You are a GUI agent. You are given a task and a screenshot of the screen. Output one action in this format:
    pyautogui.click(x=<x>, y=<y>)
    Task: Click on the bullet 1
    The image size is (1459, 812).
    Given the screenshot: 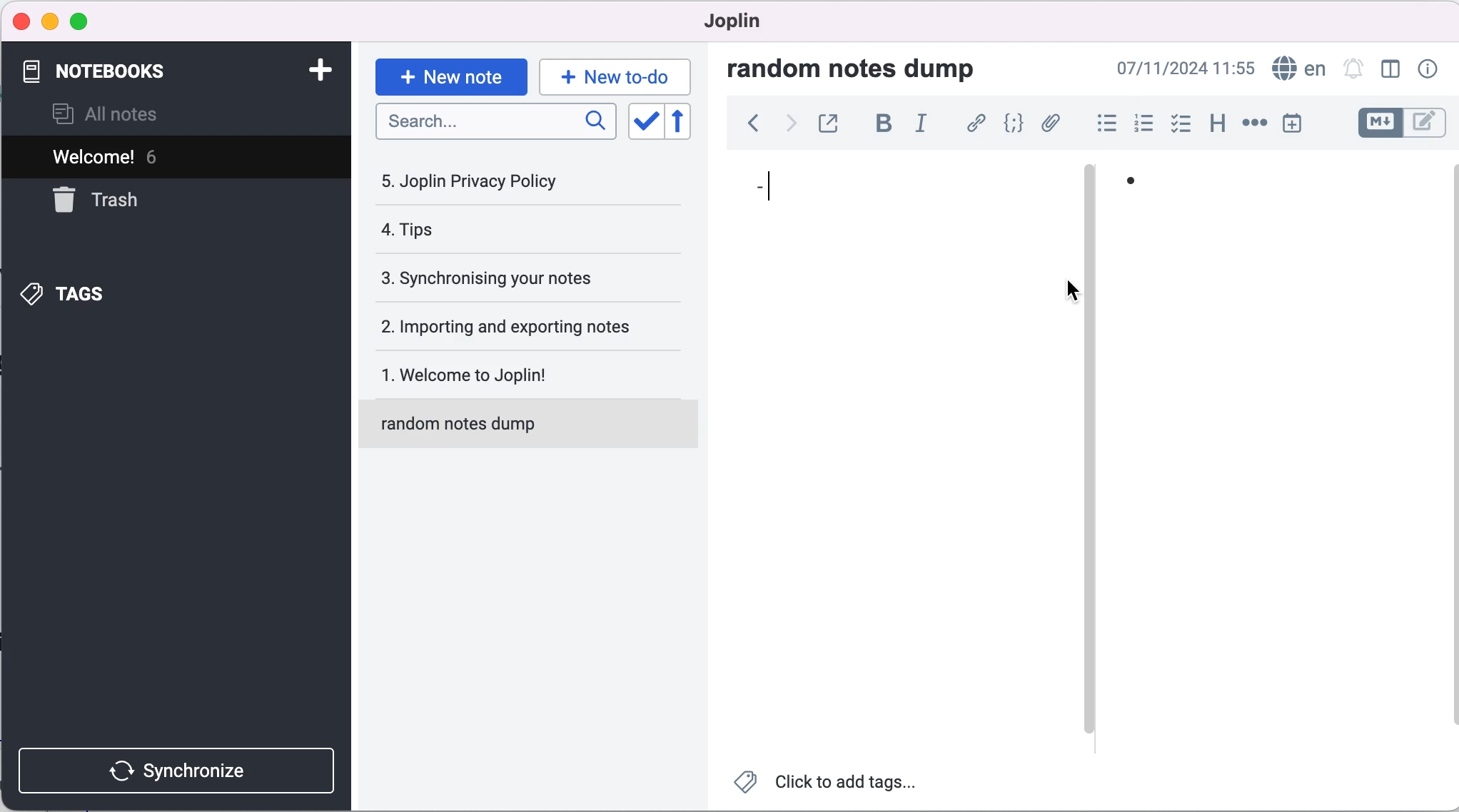 What is the action you would take?
    pyautogui.click(x=1278, y=191)
    